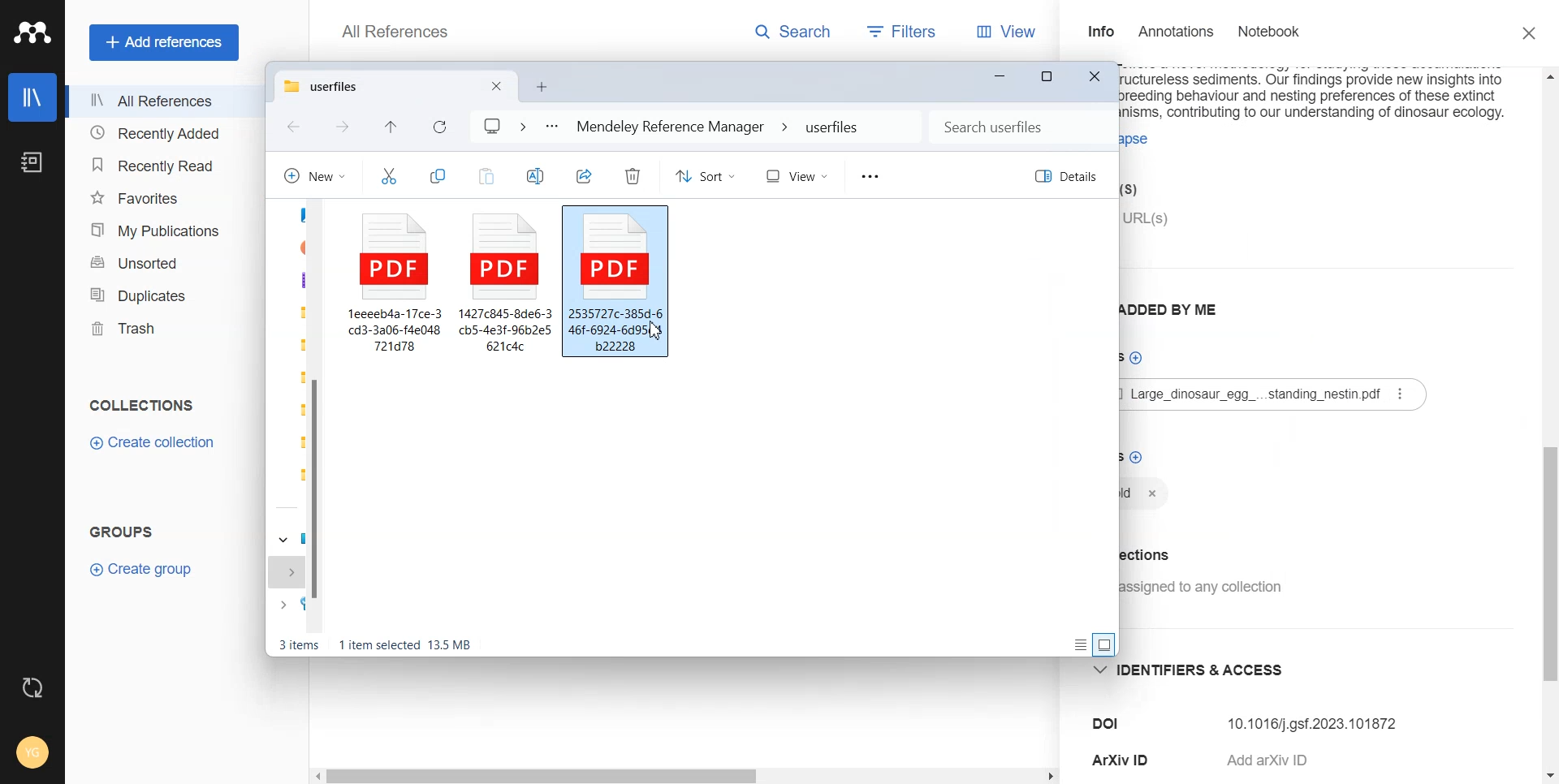 The height and width of the screenshot is (784, 1559). What do you see at coordinates (167, 261) in the screenshot?
I see `Unsorted` at bounding box center [167, 261].